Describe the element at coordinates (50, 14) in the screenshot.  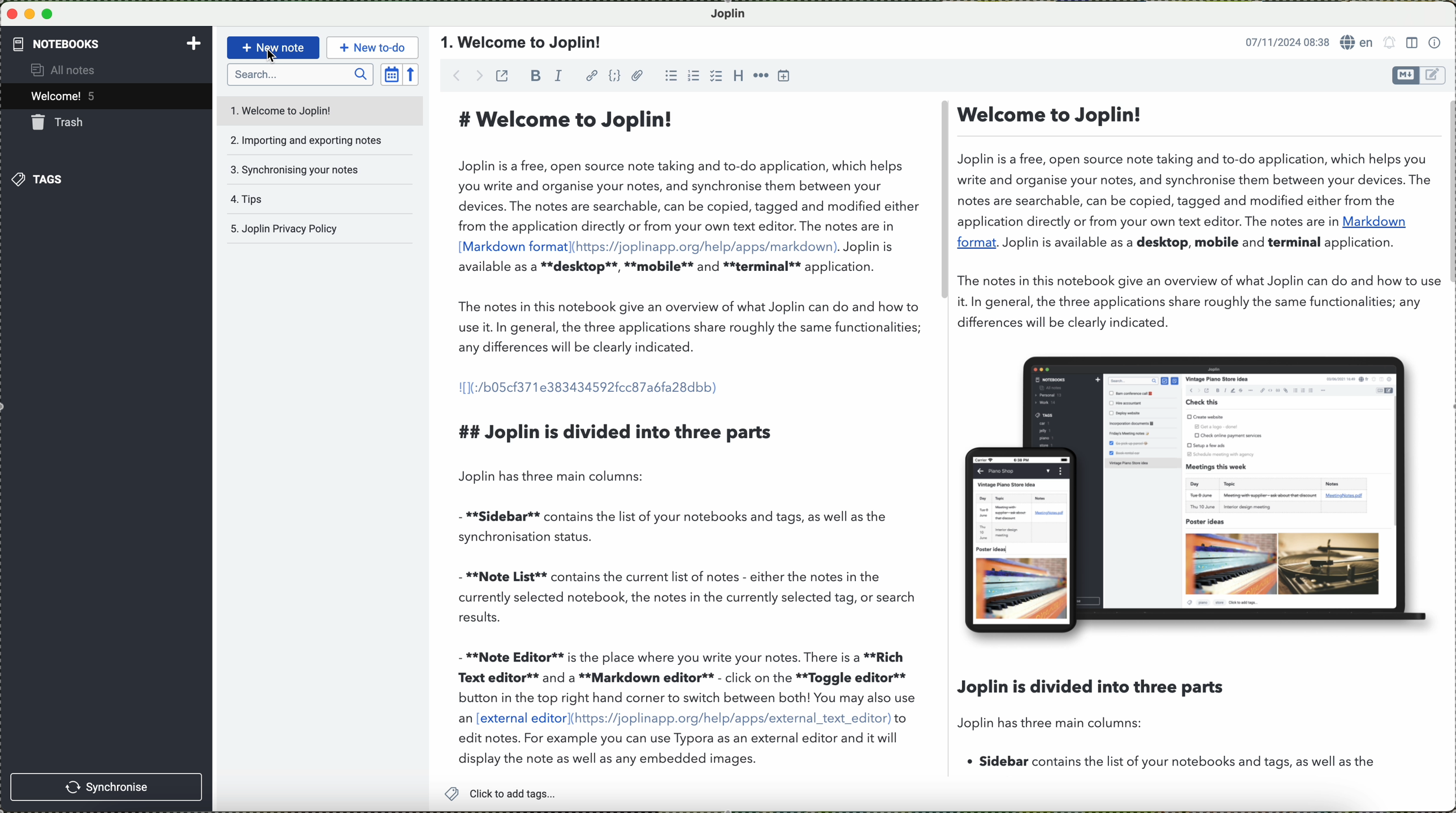
I see `maximize` at that location.